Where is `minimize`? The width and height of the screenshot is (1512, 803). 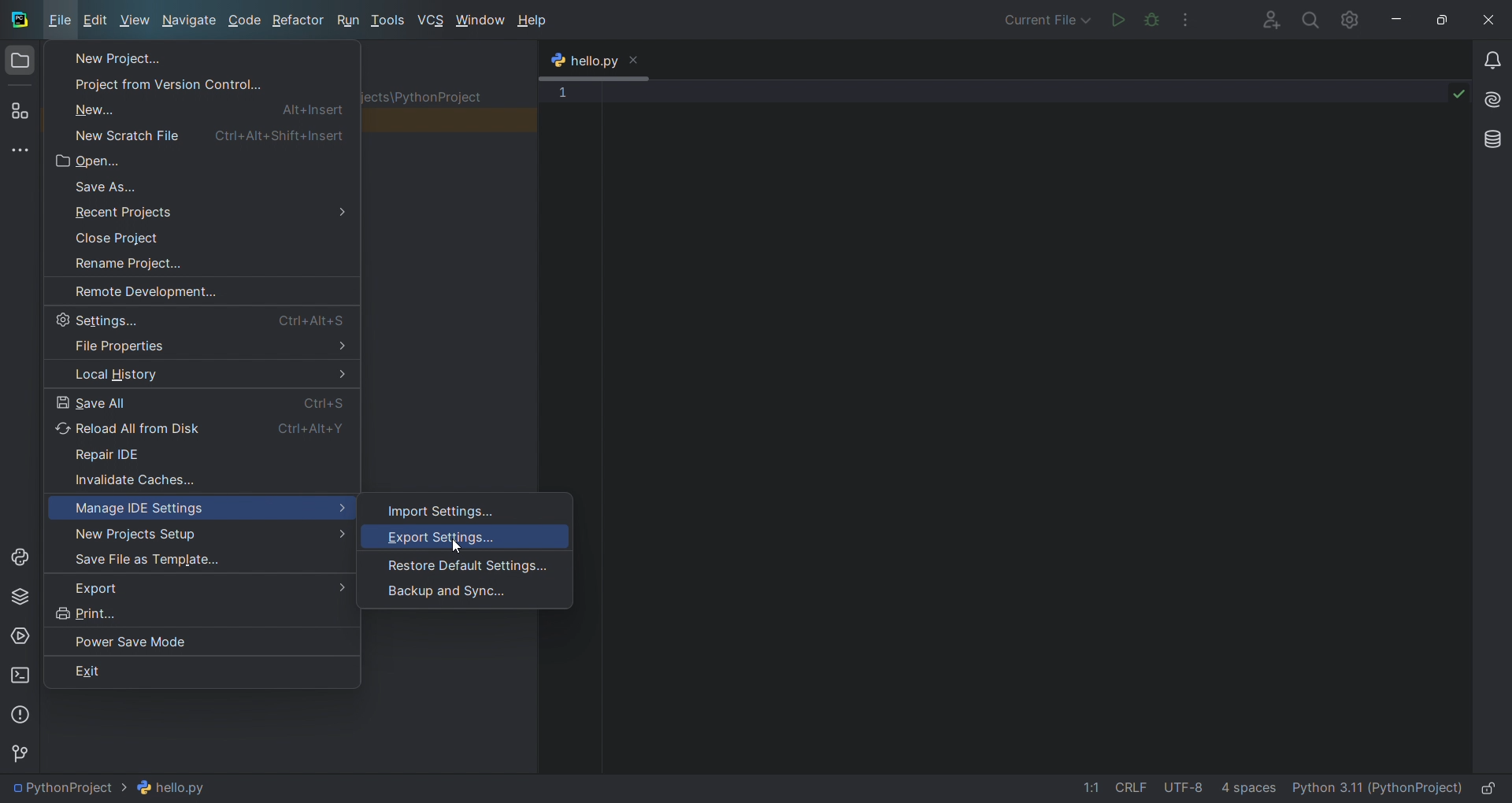 minimize is located at coordinates (1395, 18).